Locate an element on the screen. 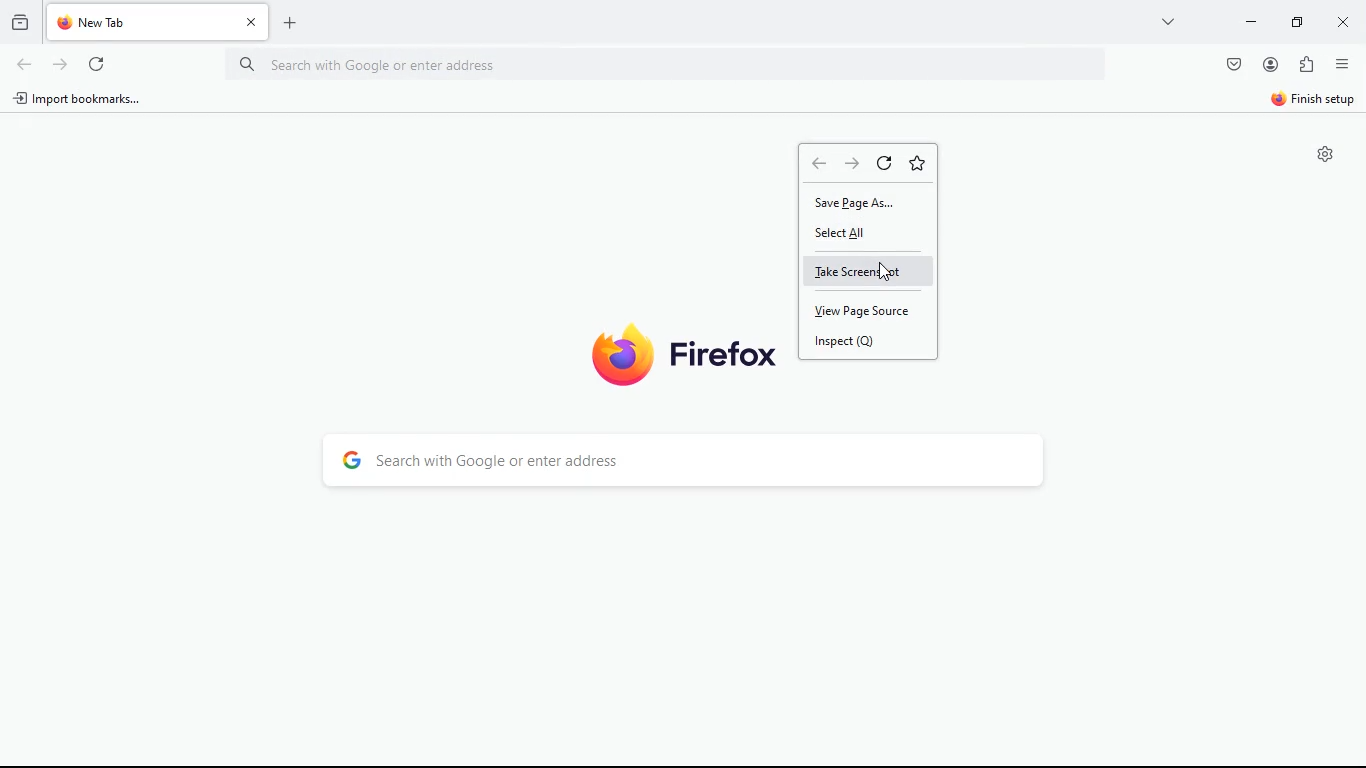  select all is located at coordinates (861, 234).